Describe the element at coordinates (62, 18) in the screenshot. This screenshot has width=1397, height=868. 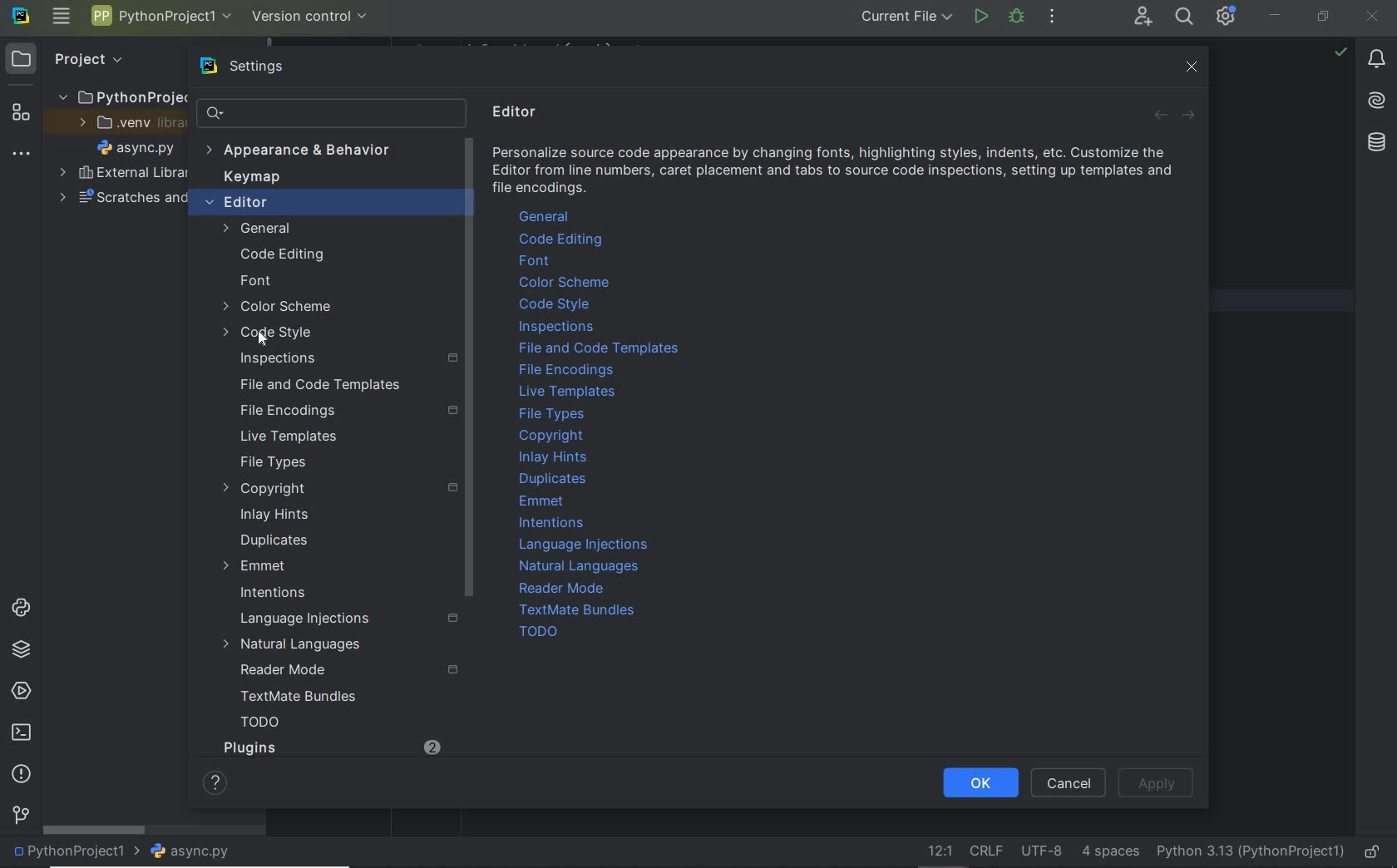
I see `main menu` at that location.